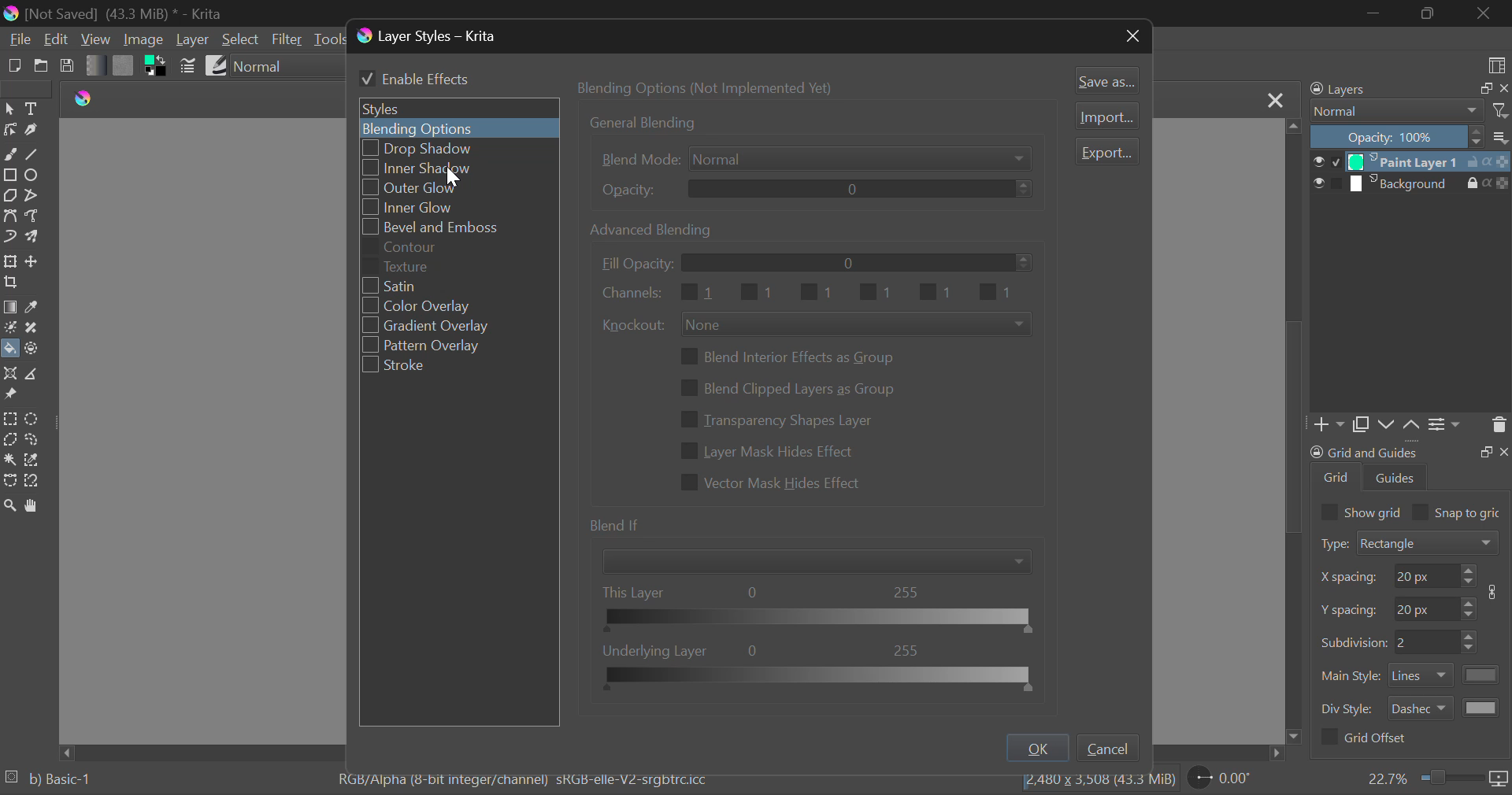  I want to click on Circular Selection, so click(33, 418).